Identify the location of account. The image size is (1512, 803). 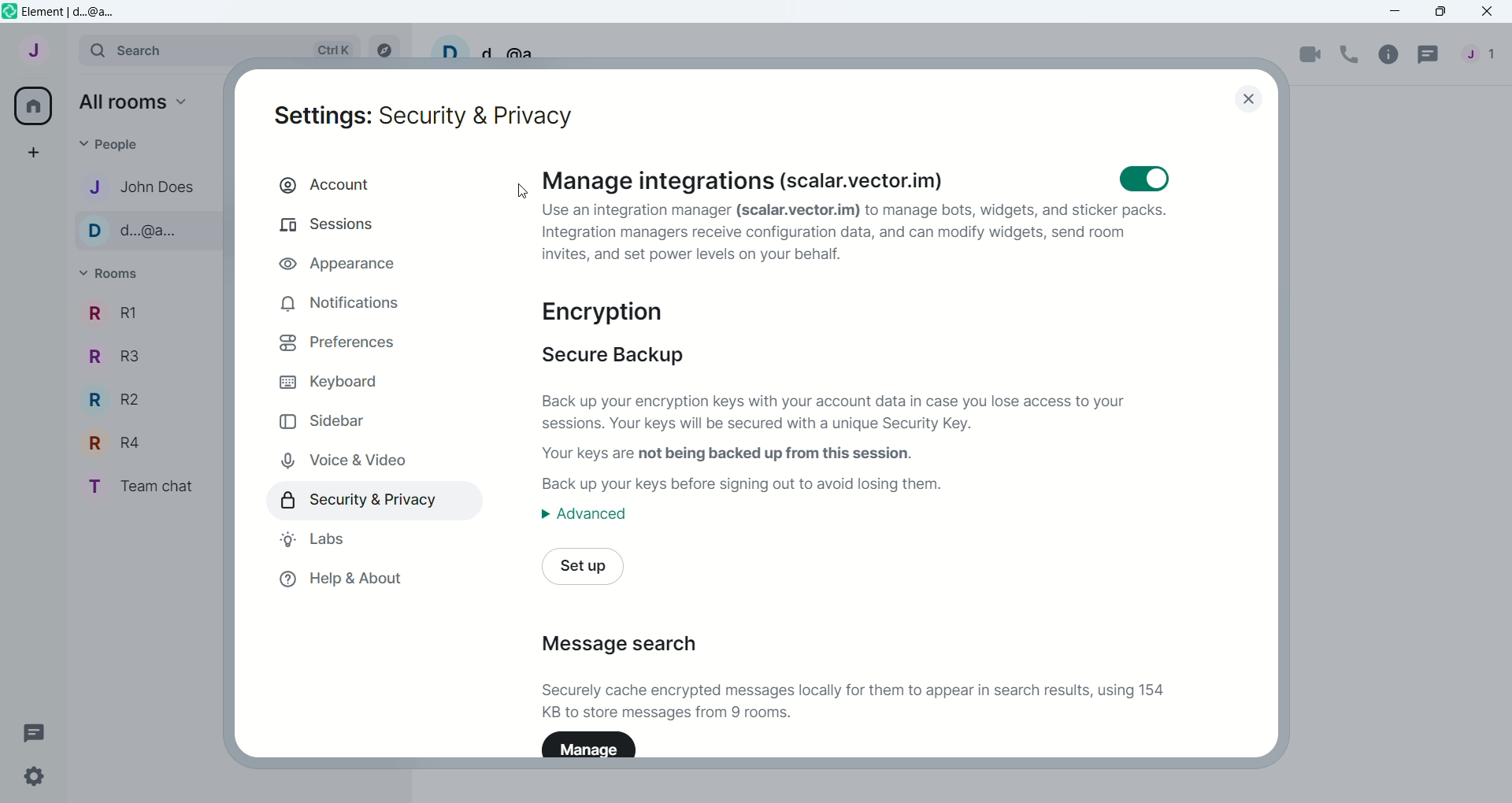
(29, 54).